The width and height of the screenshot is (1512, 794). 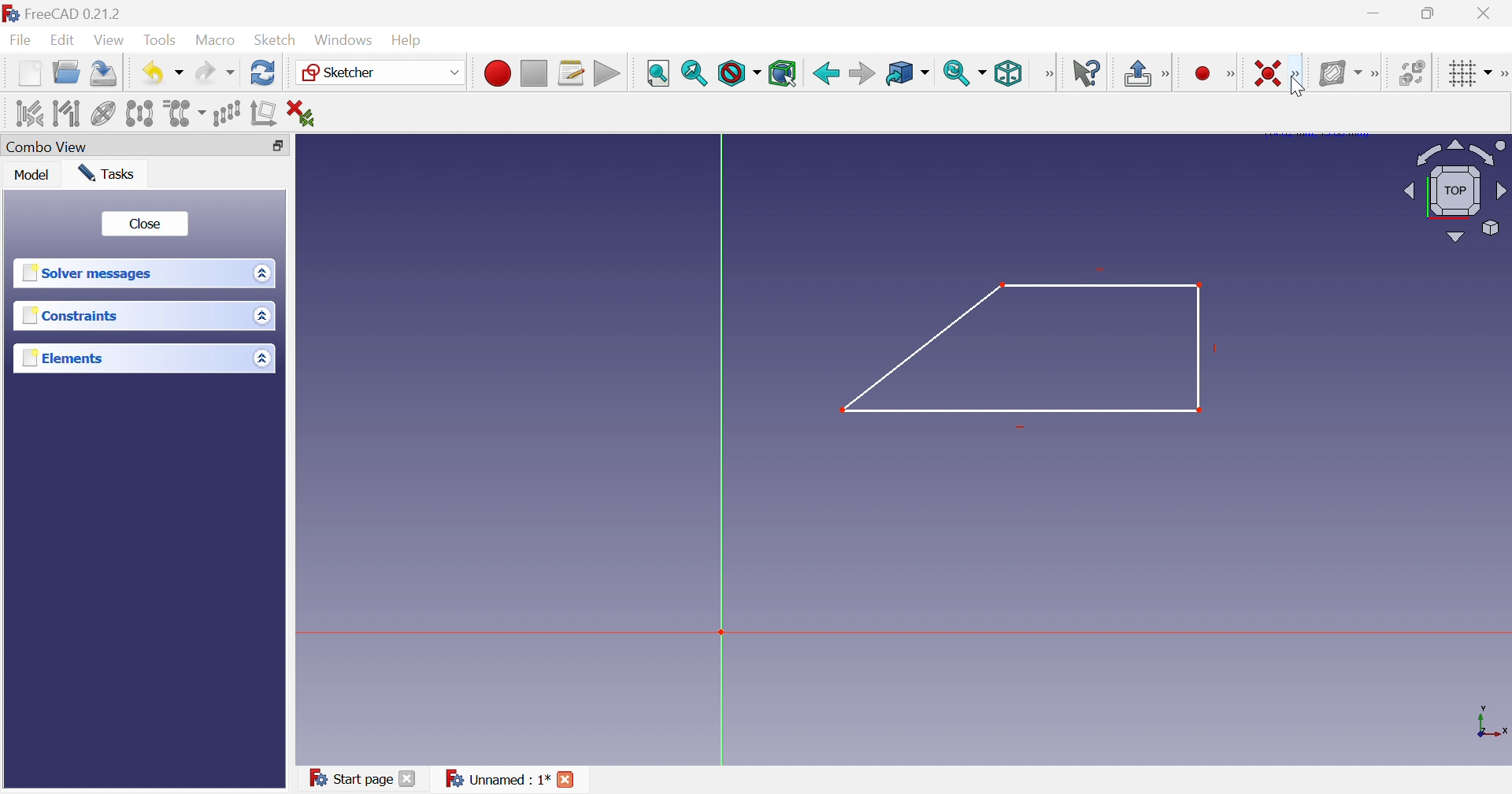 What do you see at coordinates (110, 40) in the screenshot?
I see `View` at bounding box center [110, 40].